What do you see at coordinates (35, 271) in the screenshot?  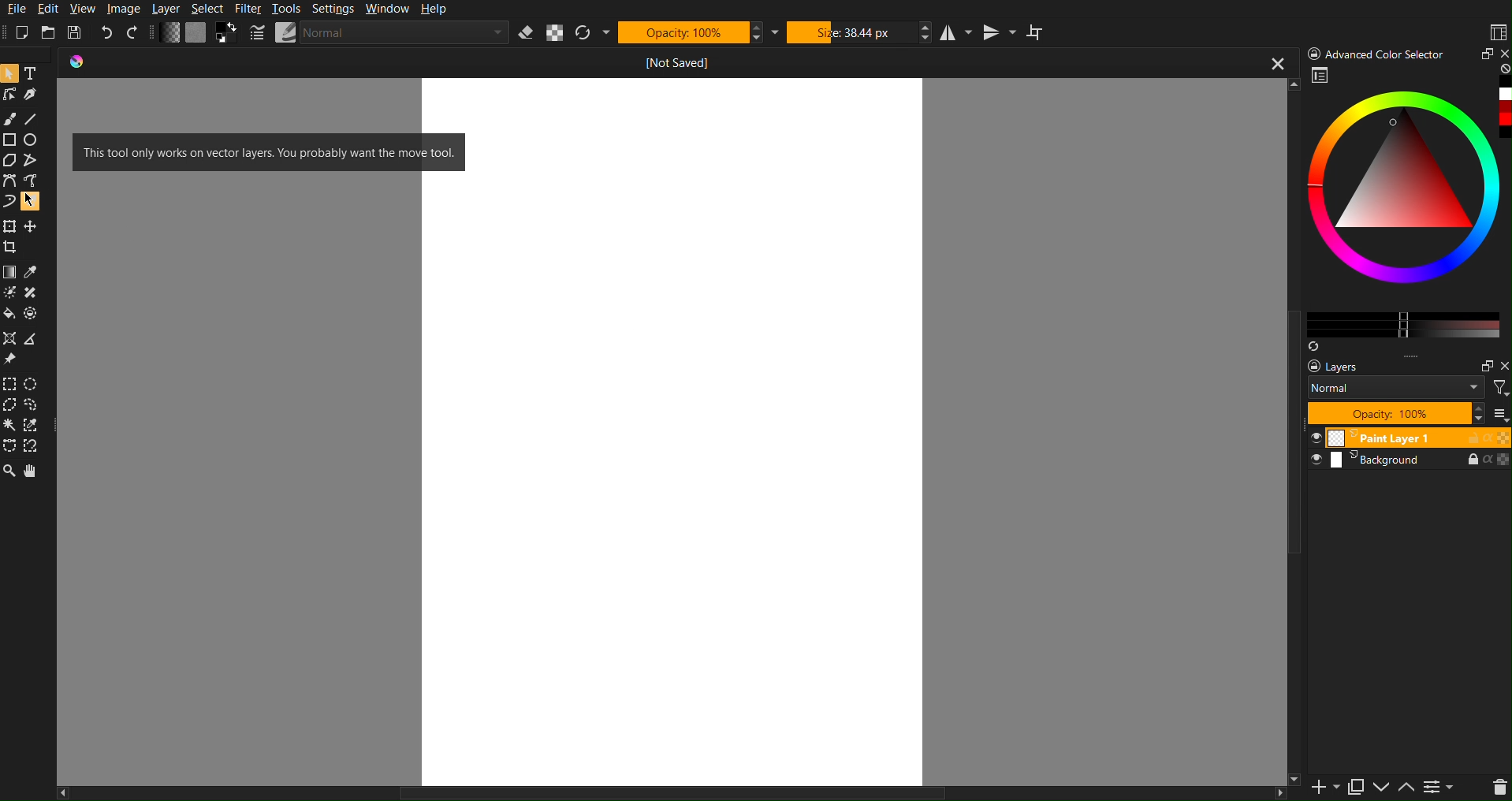 I see `Color Picker` at bounding box center [35, 271].